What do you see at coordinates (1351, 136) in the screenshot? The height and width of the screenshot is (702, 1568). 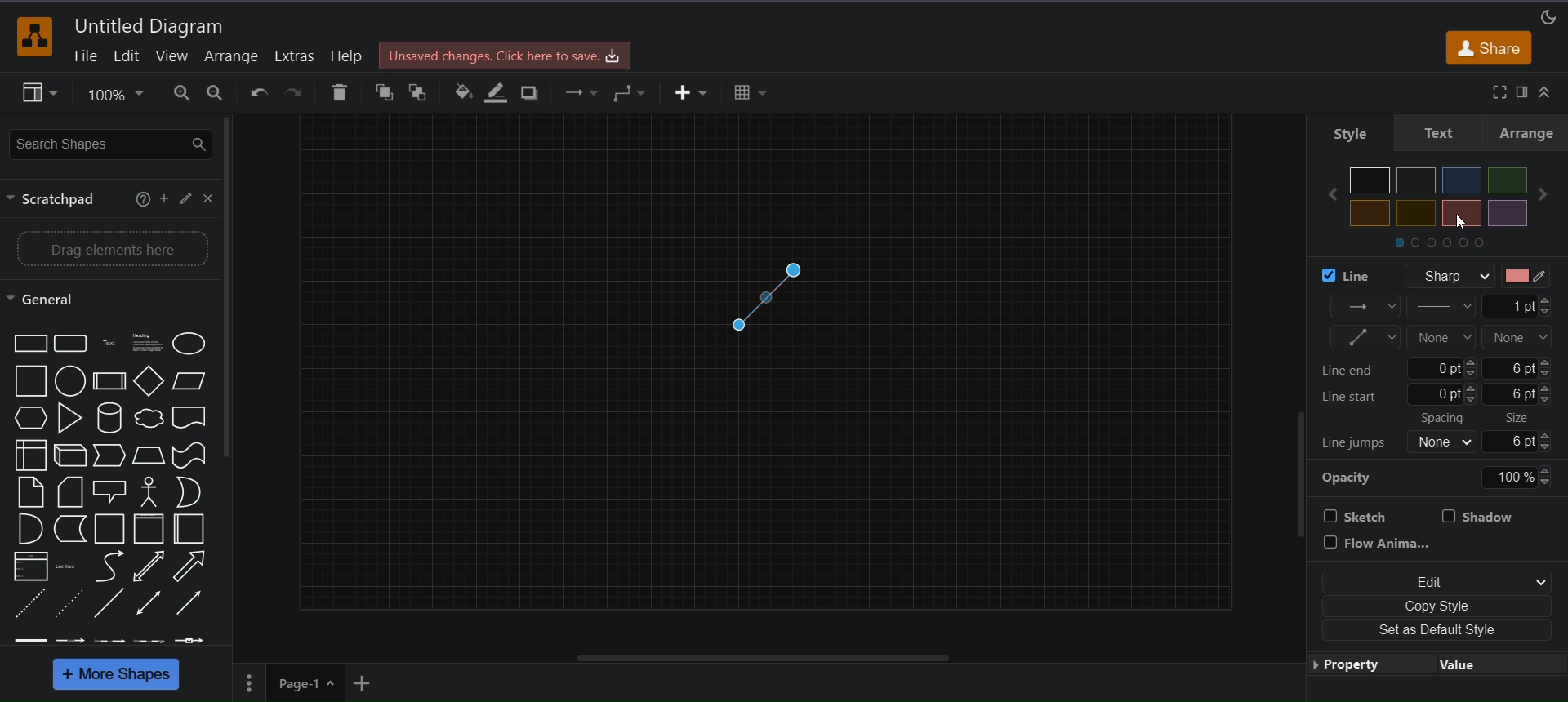 I see `style` at bounding box center [1351, 136].